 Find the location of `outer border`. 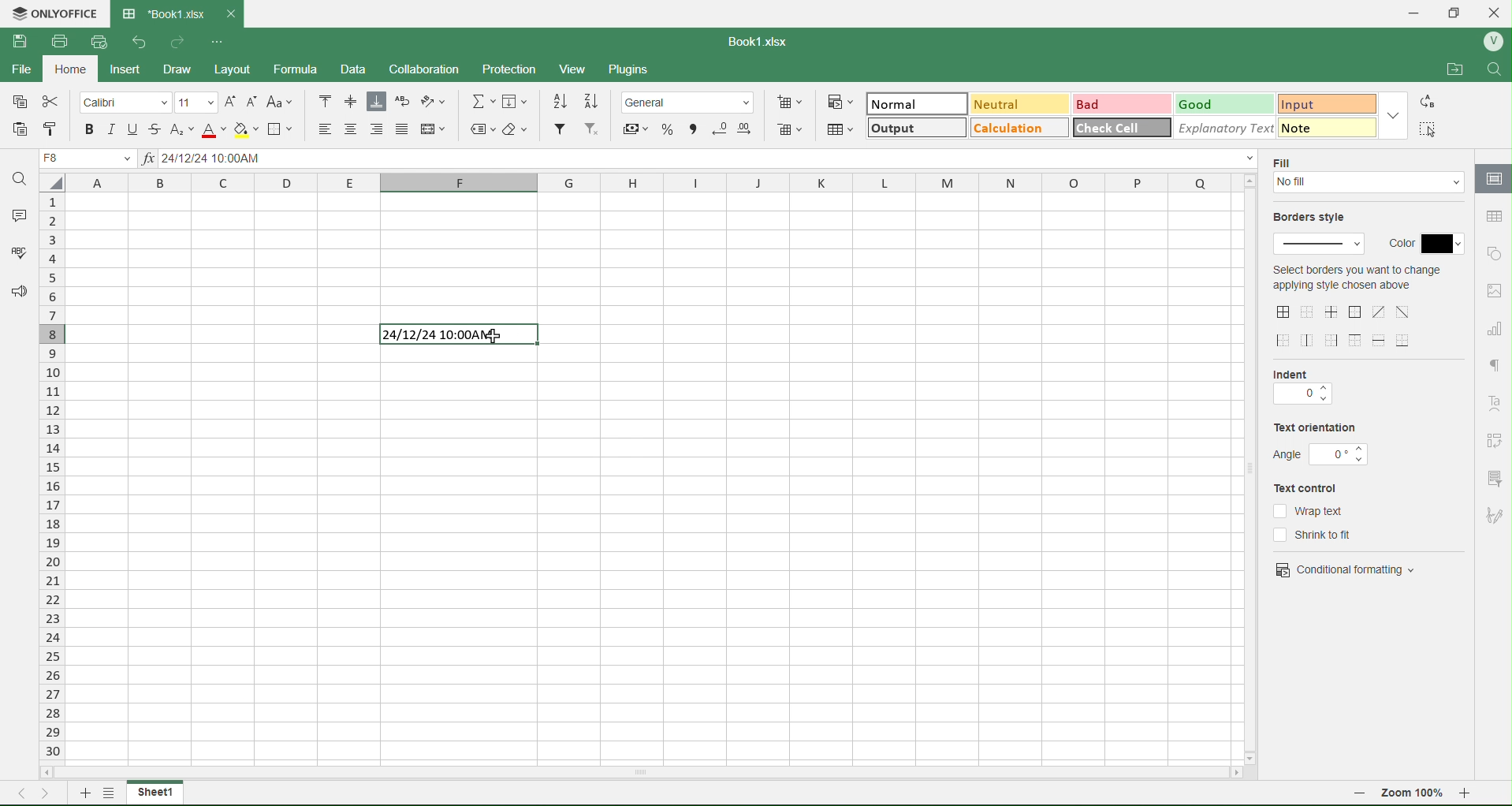

outer border is located at coordinates (1357, 313).